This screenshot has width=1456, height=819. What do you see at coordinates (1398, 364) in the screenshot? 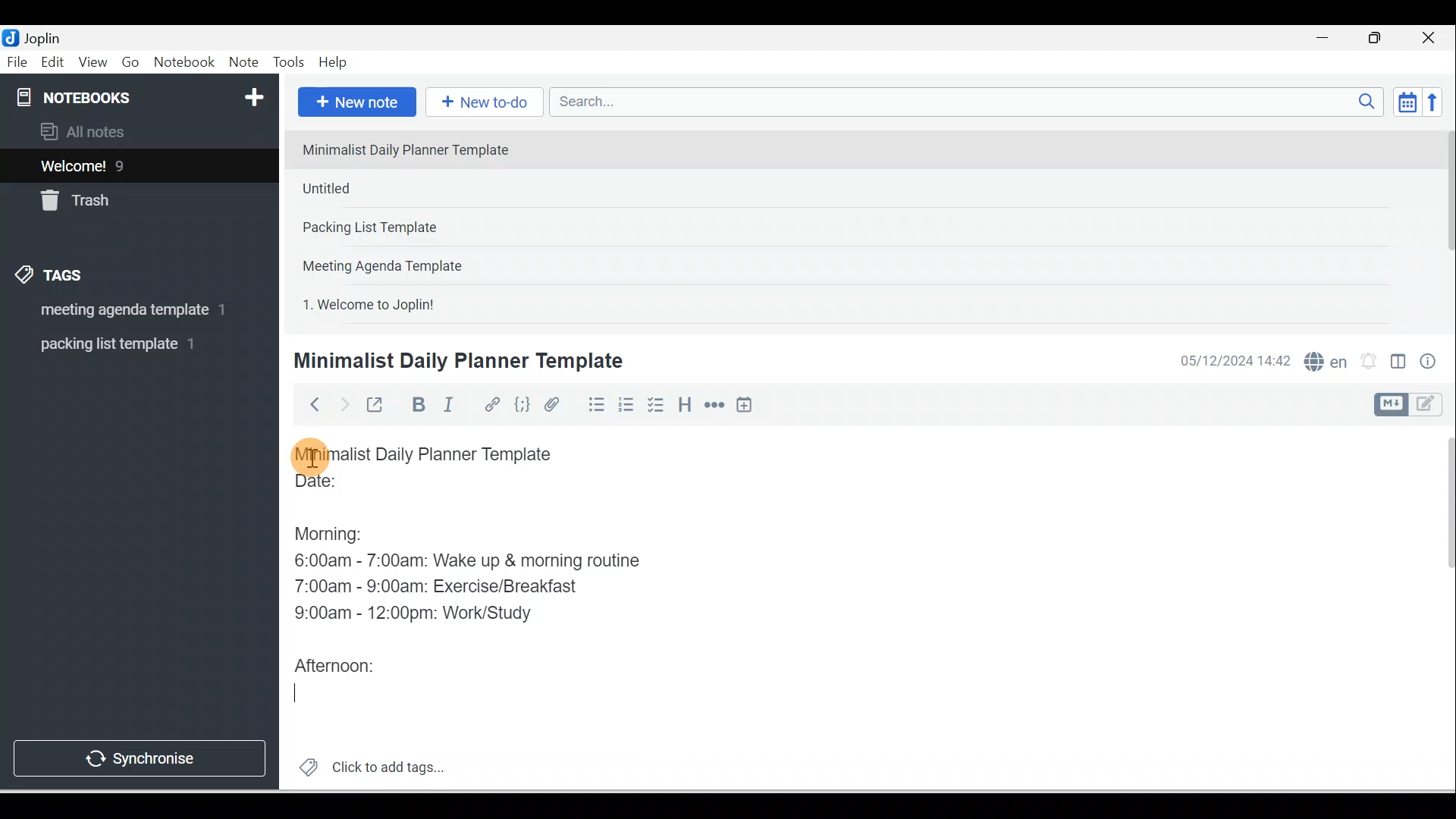
I see `Toggle editors` at bounding box center [1398, 364].